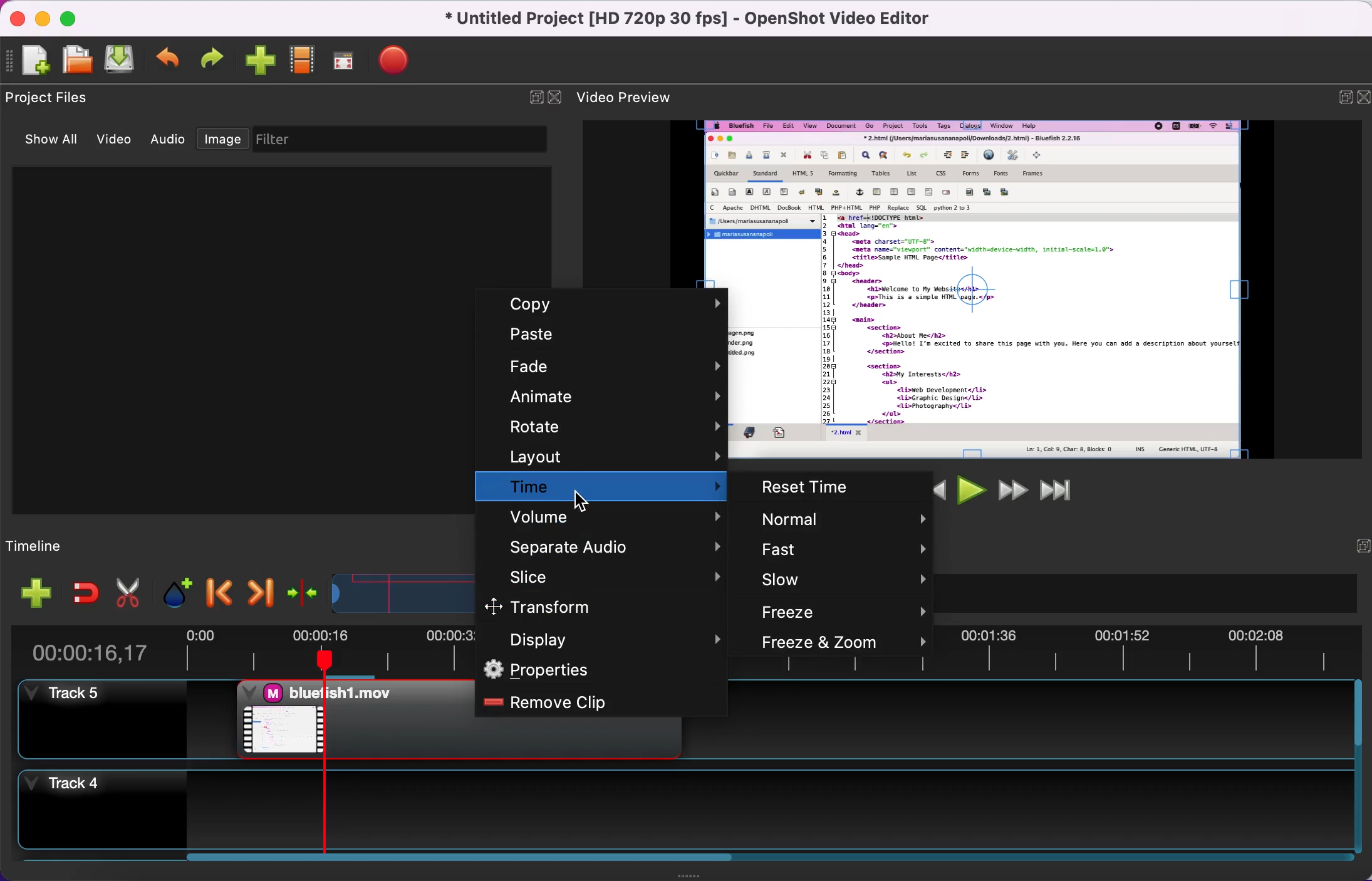 The width and height of the screenshot is (1372, 881). Describe the element at coordinates (603, 427) in the screenshot. I see `rotate` at that location.